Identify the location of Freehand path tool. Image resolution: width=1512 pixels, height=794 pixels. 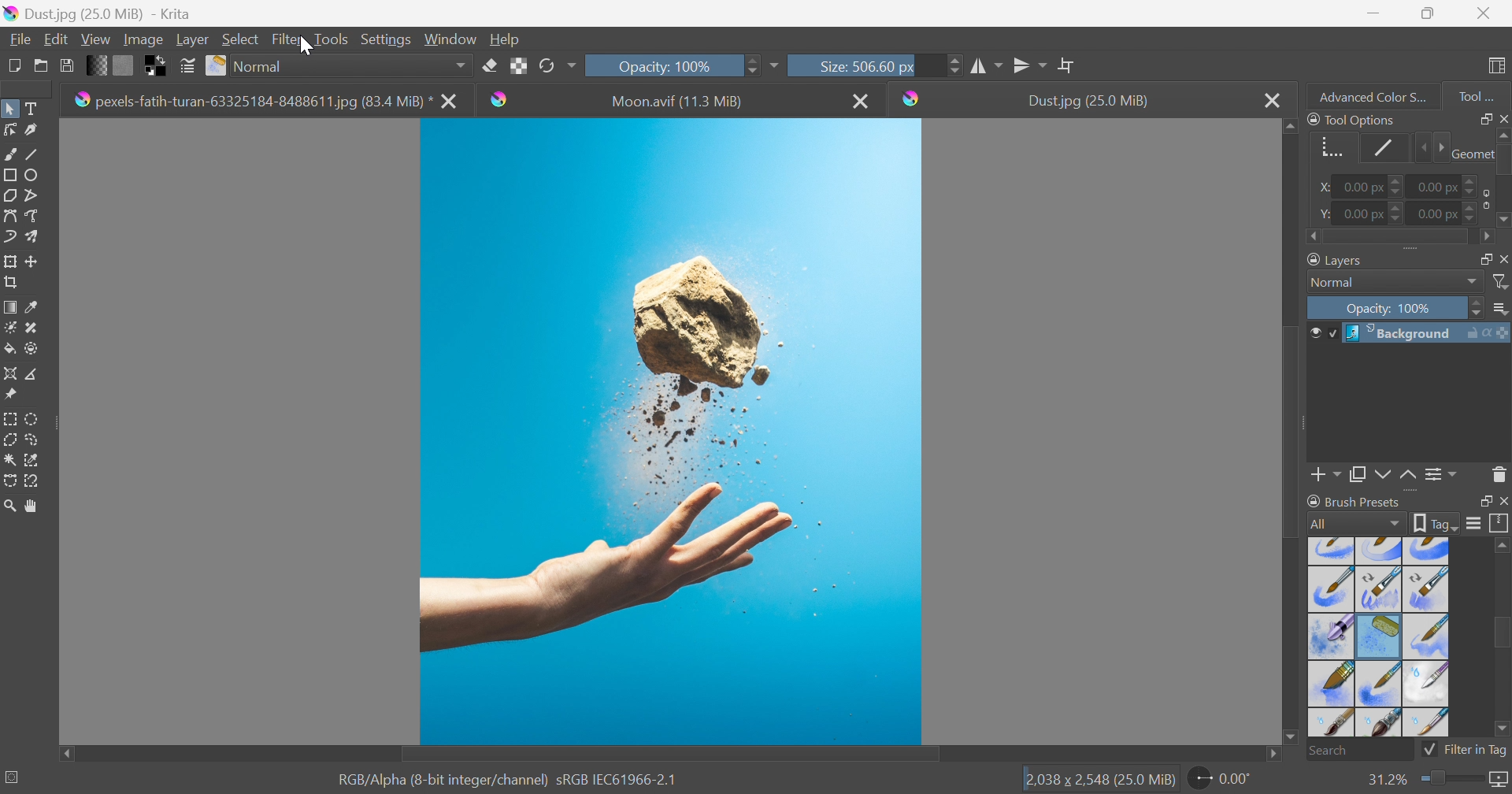
(33, 216).